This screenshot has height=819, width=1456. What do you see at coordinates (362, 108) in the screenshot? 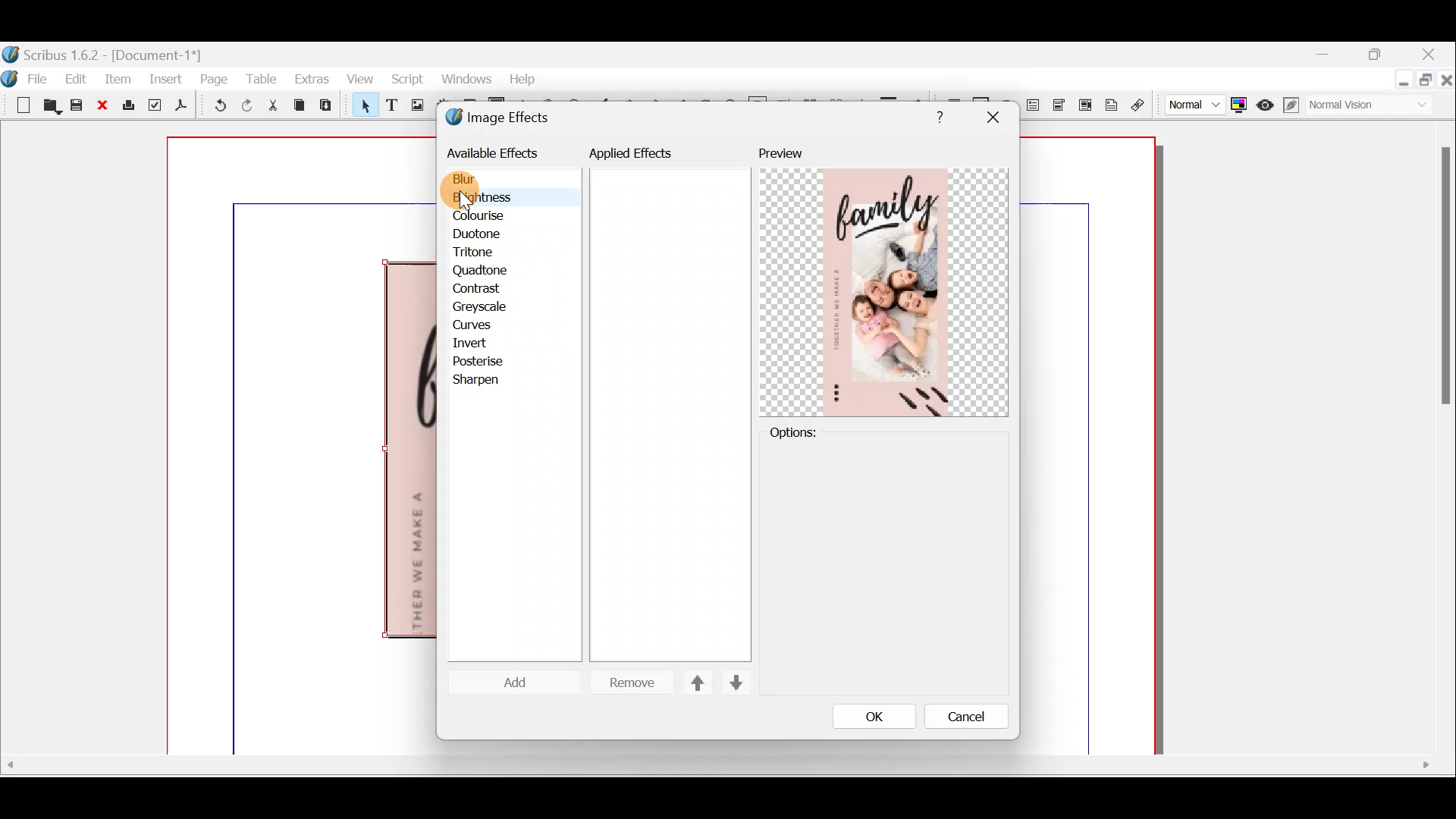
I see `Select item` at bounding box center [362, 108].